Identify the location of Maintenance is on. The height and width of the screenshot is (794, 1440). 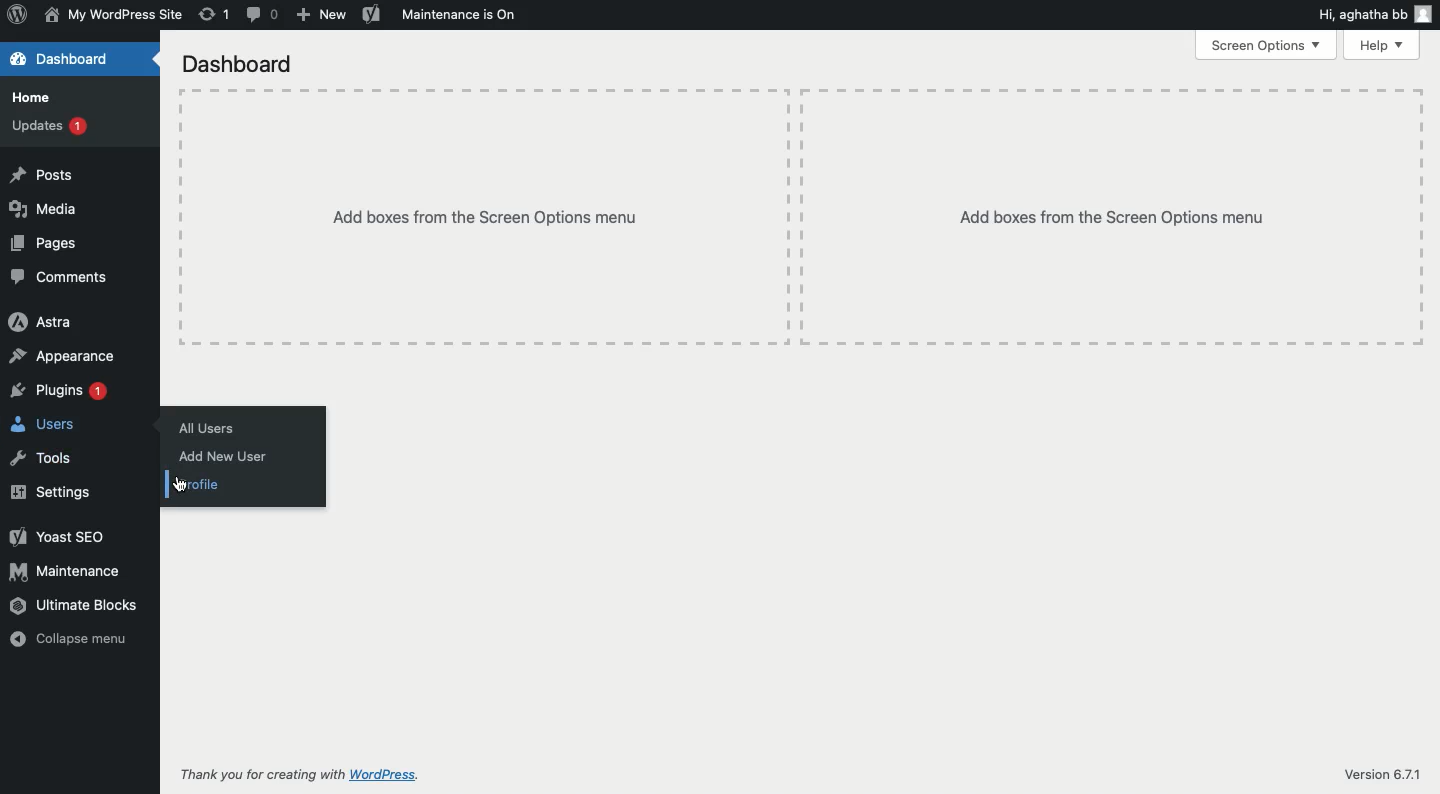
(460, 13).